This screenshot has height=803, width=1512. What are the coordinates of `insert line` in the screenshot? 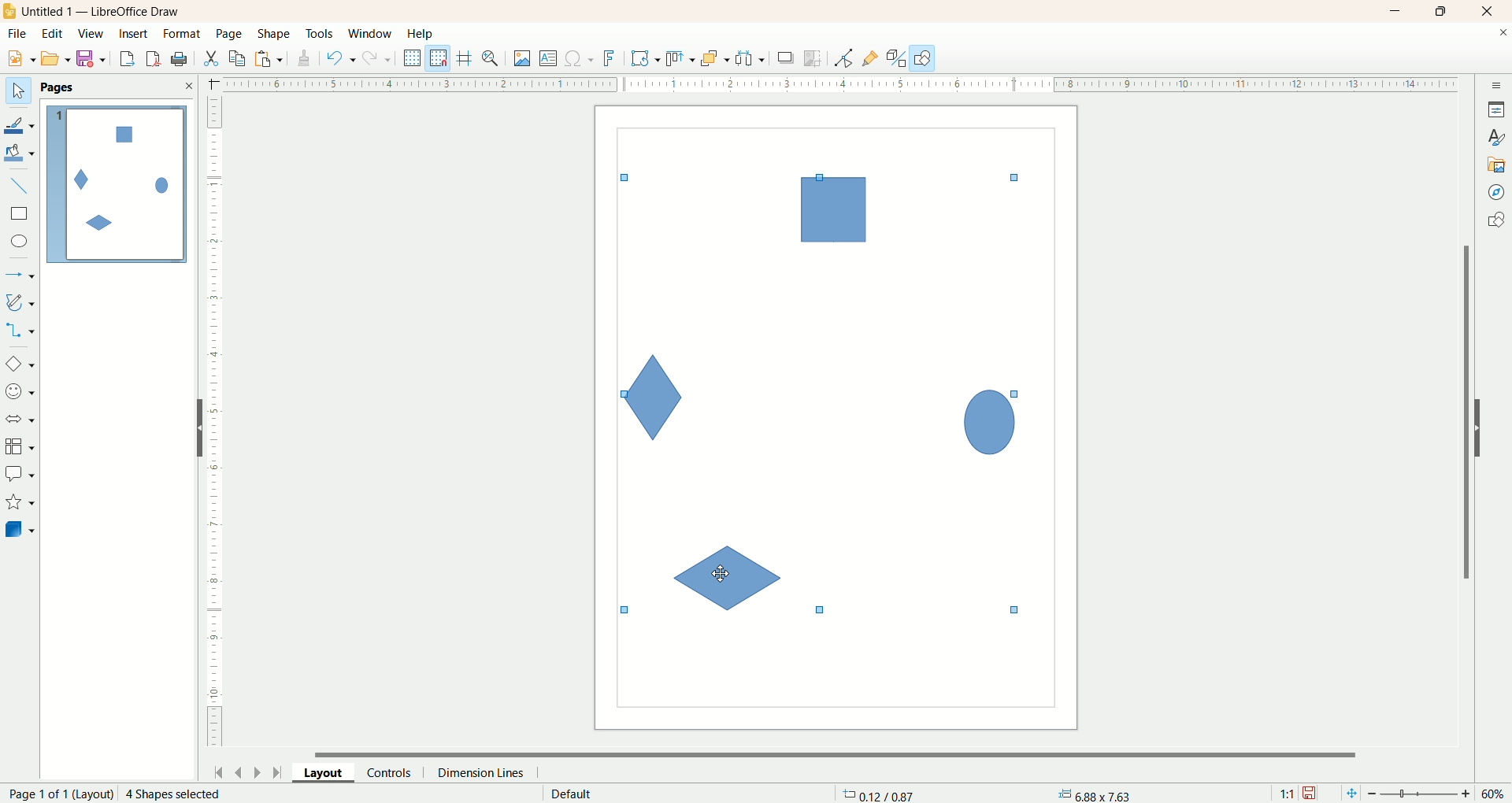 It's located at (22, 187).